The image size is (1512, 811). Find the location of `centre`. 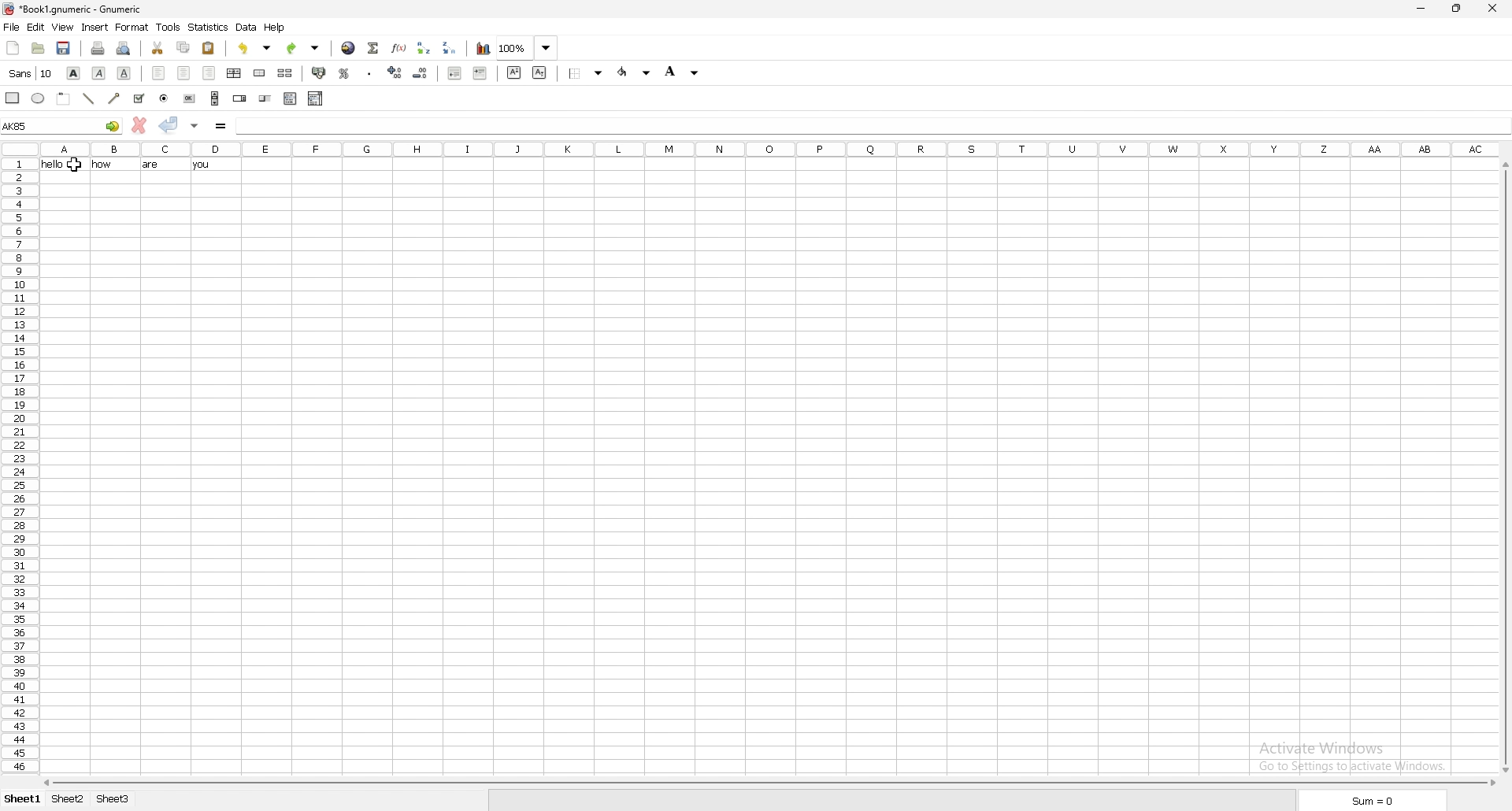

centre is located at coordinates (183, 73).